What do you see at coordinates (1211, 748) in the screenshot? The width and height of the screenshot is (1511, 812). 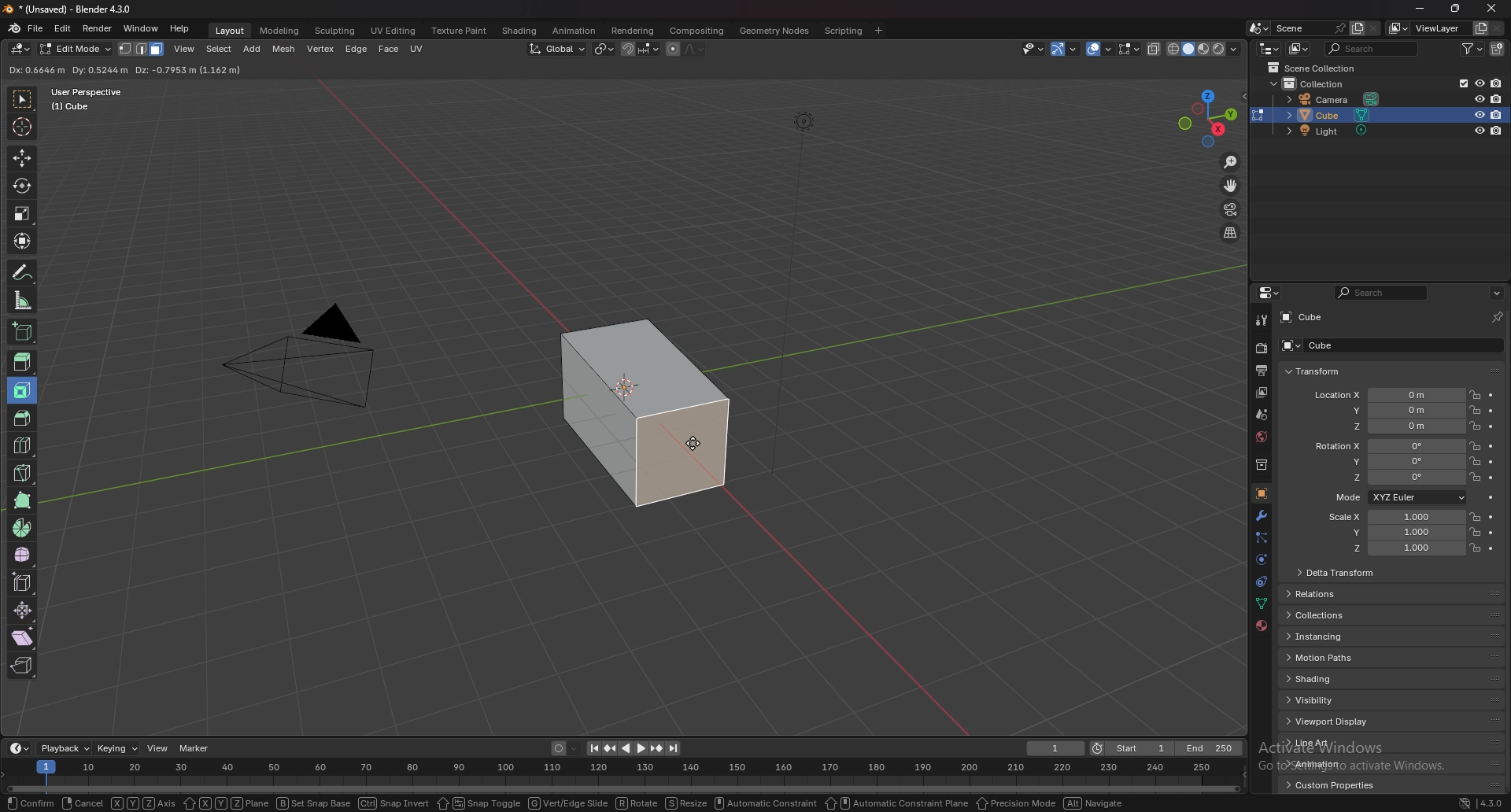 I see `end` at bounding box center [1211, 748].